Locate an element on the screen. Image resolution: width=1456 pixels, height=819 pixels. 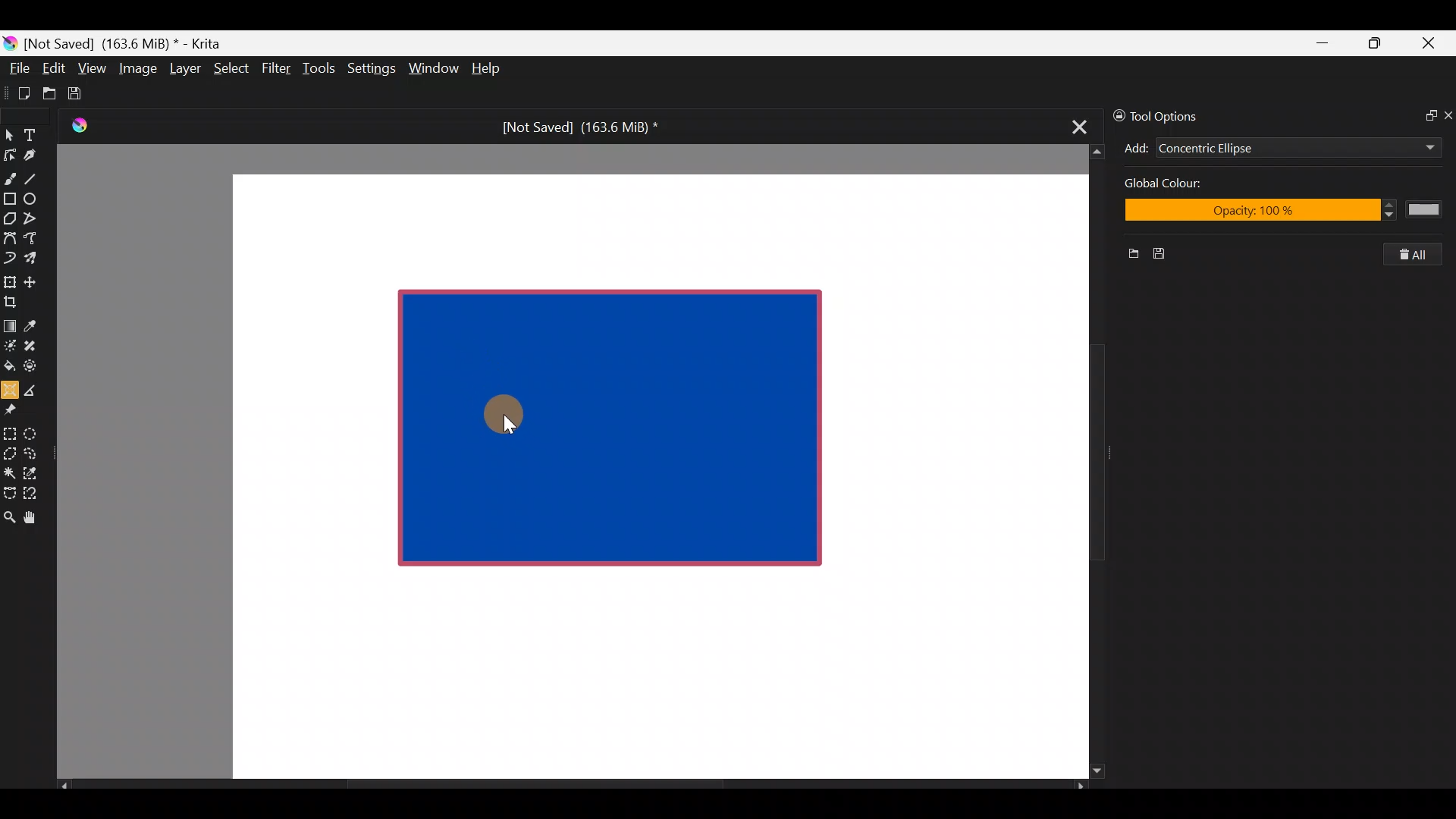
Text tool is located at coordinates (38, 134).